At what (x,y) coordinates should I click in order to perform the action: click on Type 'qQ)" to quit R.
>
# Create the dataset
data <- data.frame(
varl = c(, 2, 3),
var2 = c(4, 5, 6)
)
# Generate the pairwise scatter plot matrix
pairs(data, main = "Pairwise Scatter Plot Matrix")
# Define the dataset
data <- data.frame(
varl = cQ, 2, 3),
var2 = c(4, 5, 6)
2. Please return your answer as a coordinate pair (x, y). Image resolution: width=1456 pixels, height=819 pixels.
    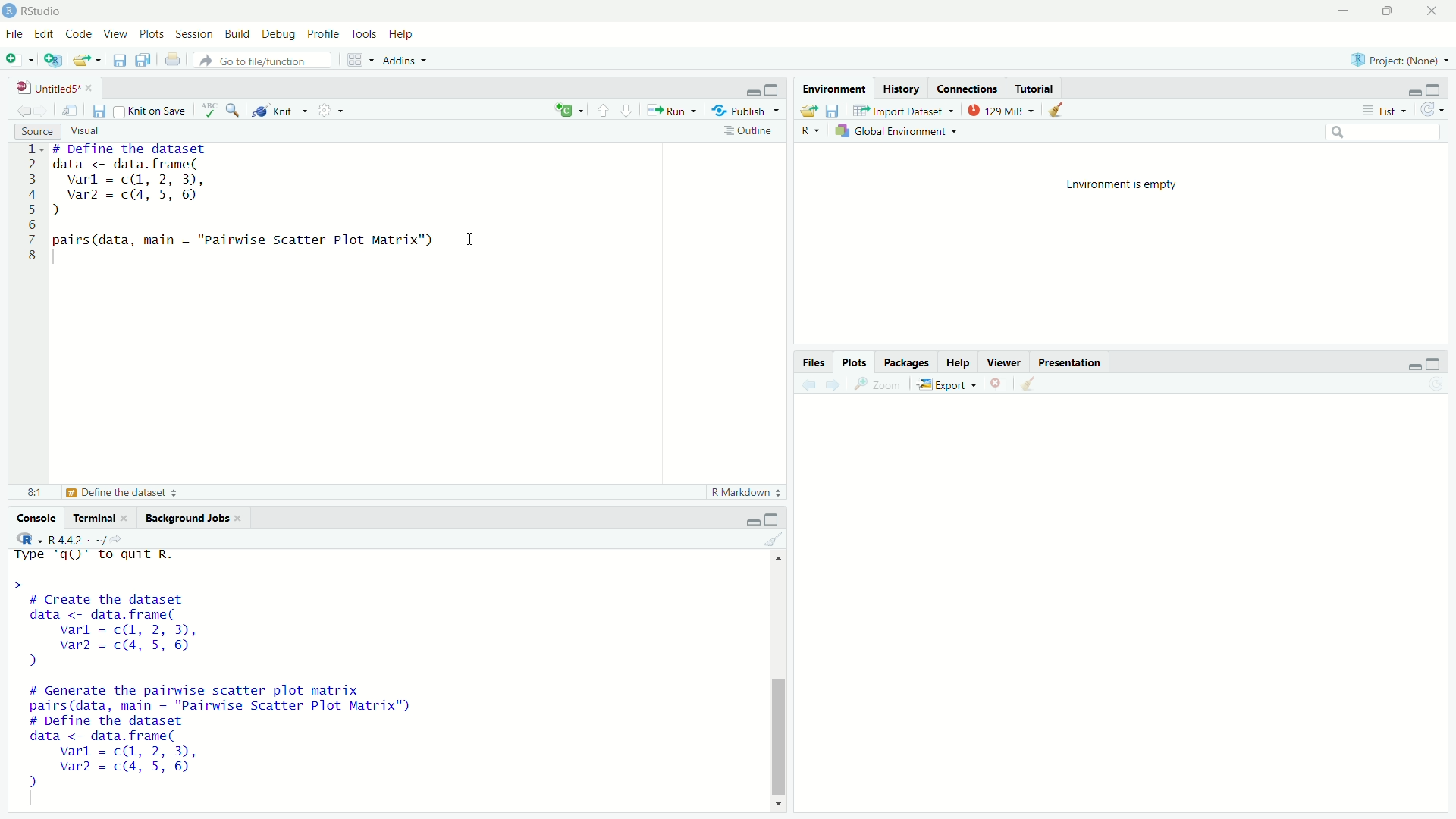
    Looking at the image, I should click on (265, 674).